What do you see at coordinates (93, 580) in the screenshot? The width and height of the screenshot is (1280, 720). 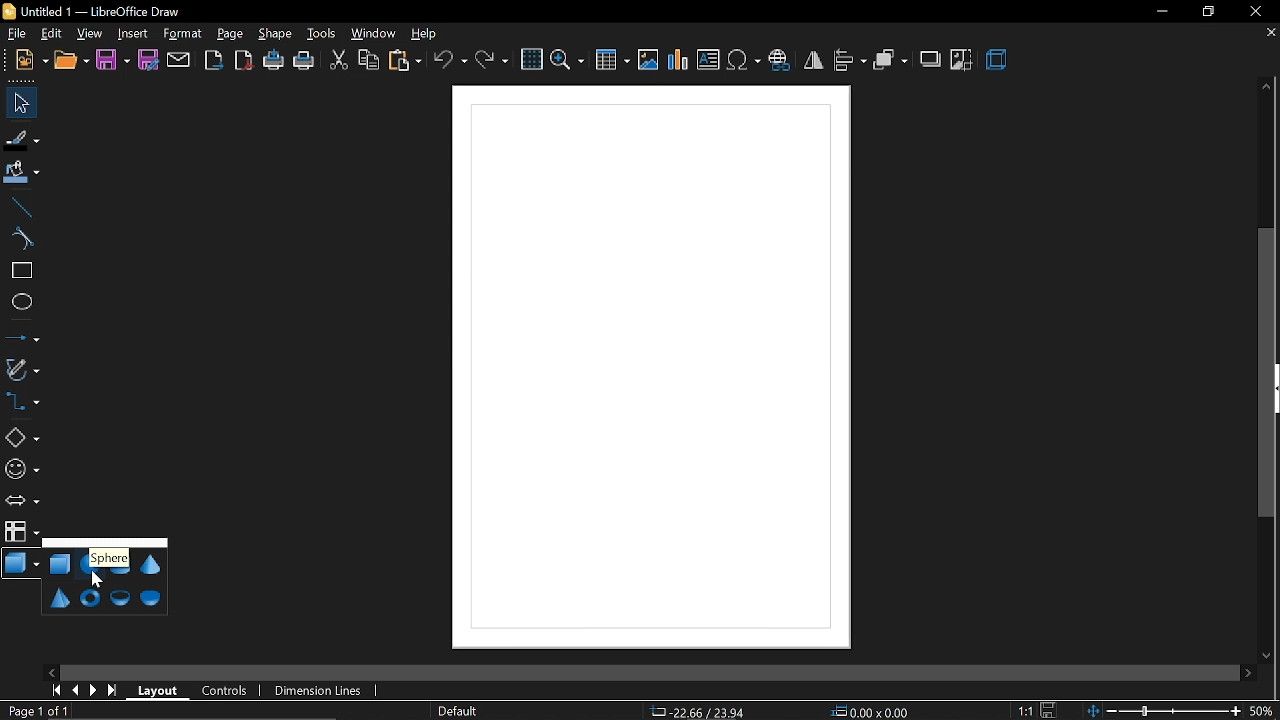 I see `Cursor` at bounding box center [93, 580].